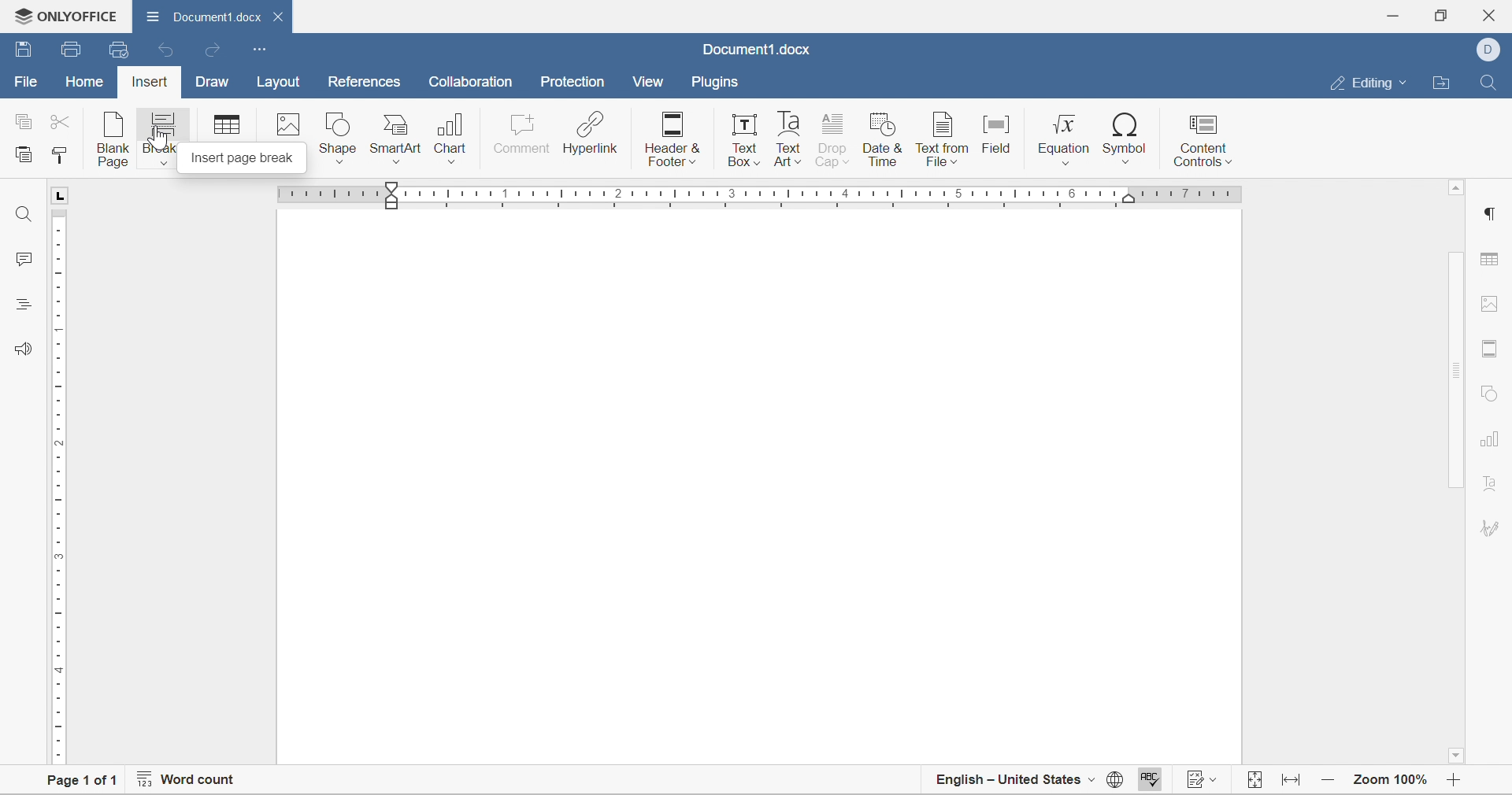  I want to click on Shape, so click(338, 139).